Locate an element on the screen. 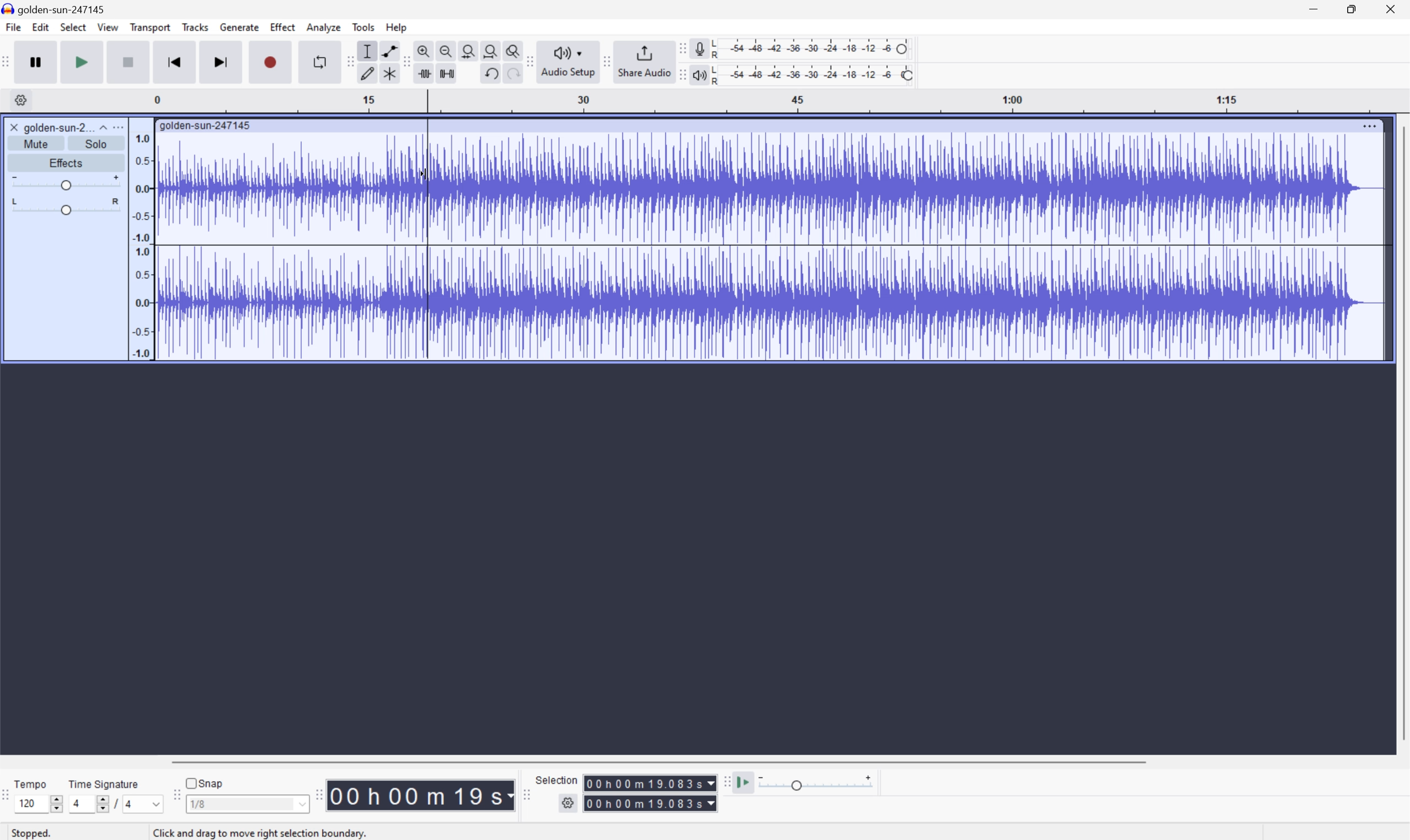  Cursor is located at coordinates (420, 179).